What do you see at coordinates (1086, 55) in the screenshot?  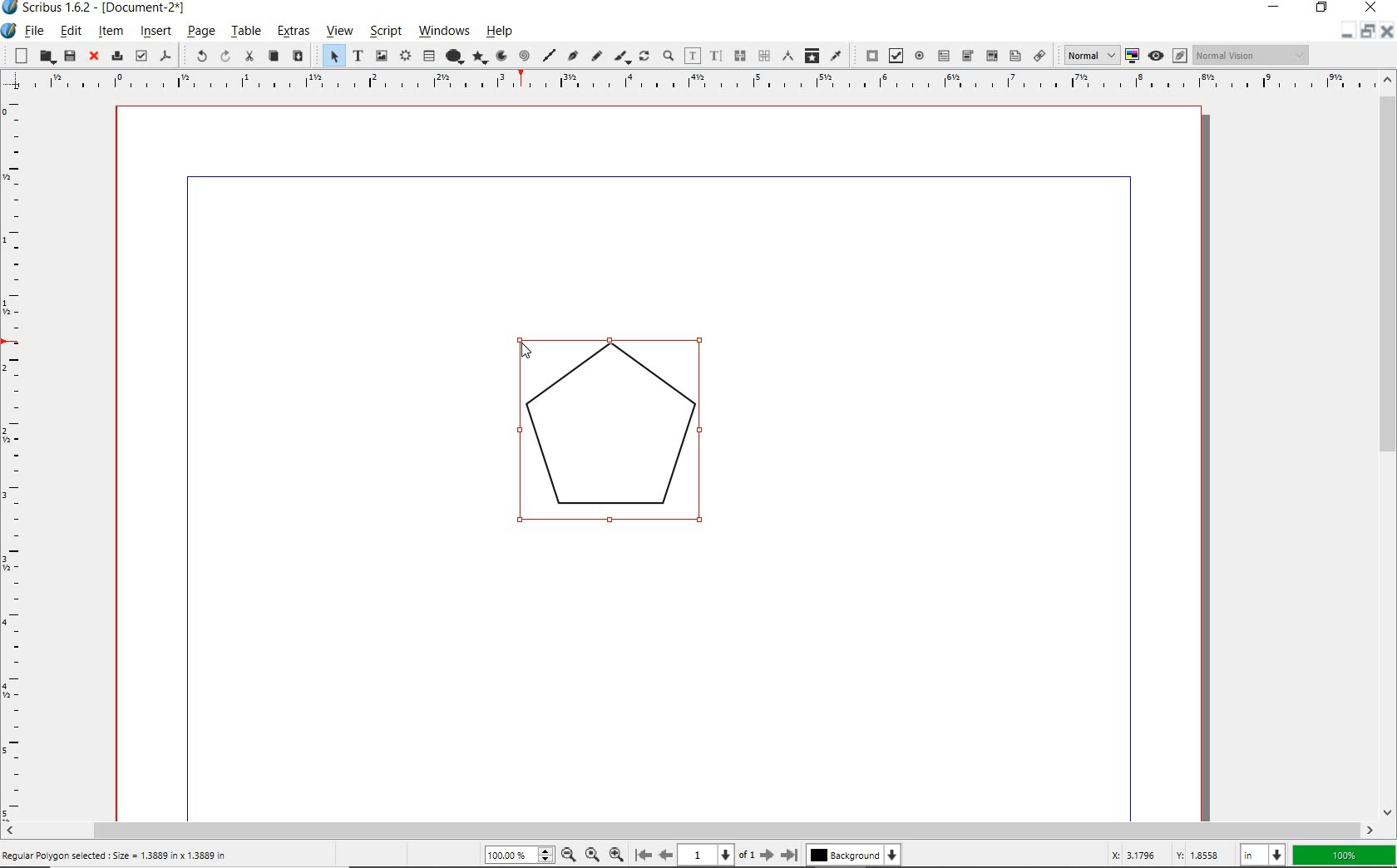 I see `select image preview quality` at bounding box center [1086, 55].